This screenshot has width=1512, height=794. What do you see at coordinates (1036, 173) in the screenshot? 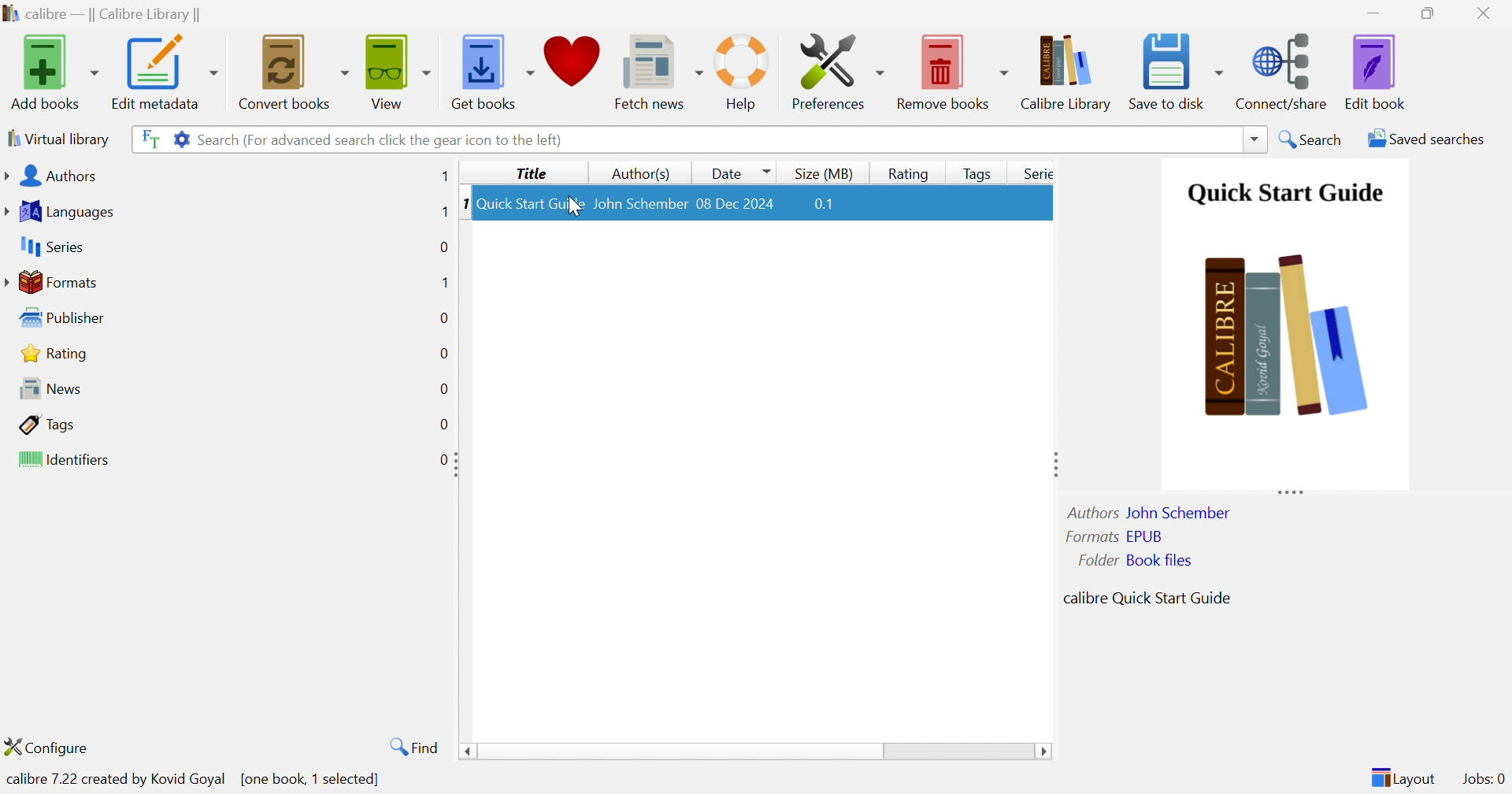
I see `Series` at bounding box center [1036, 173].